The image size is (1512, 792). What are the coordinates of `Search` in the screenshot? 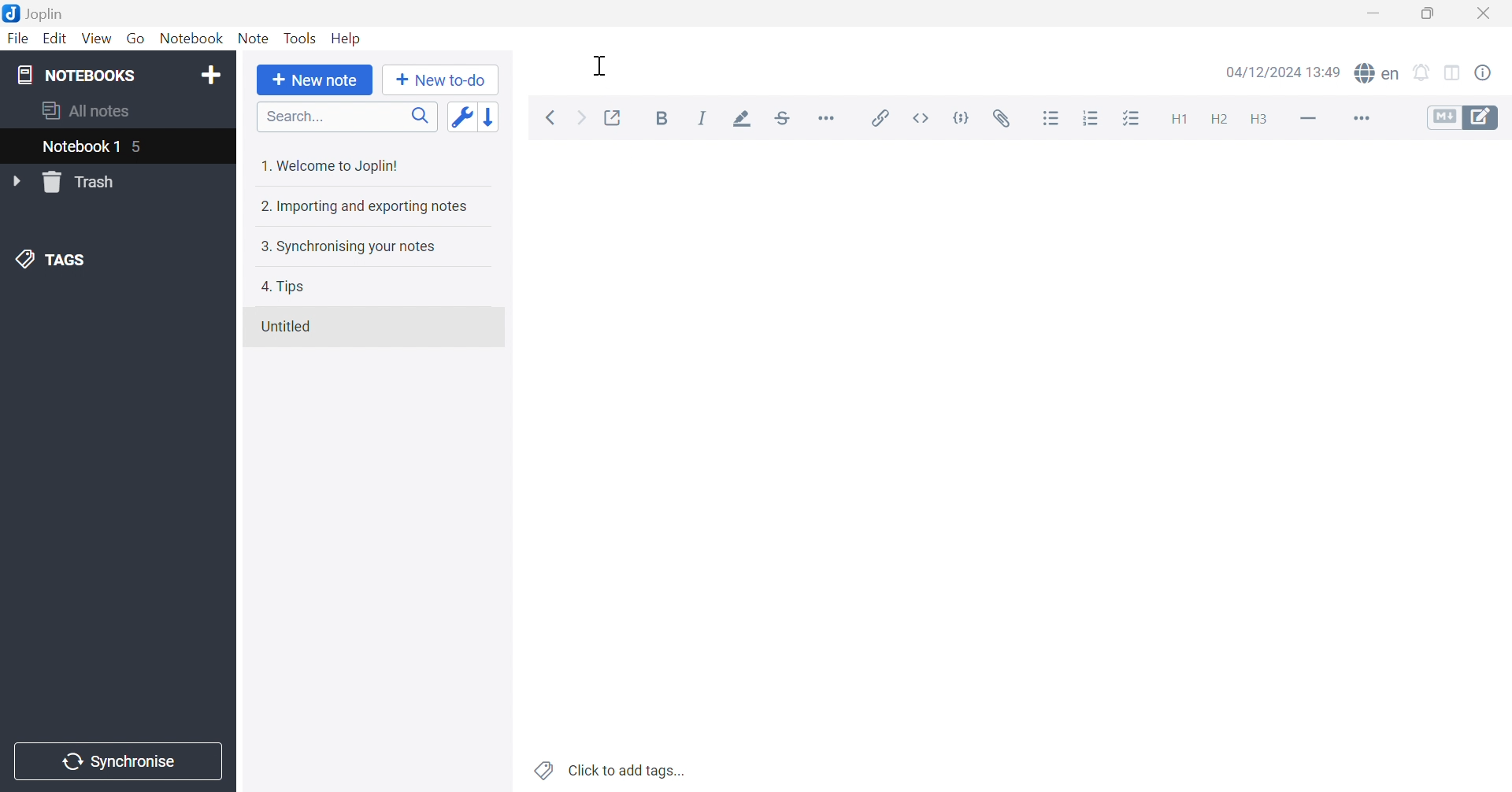 It's located at (346, 117).